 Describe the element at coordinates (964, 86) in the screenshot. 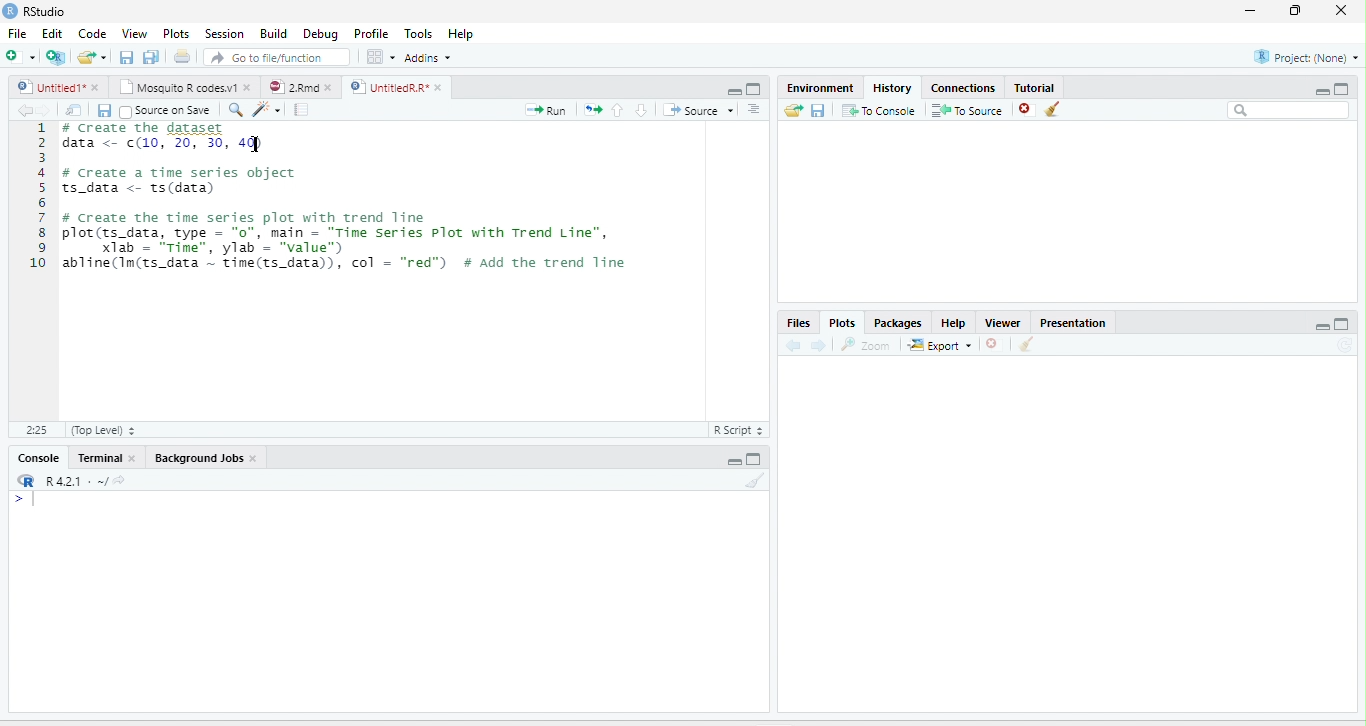

I see `Connections` at that location.